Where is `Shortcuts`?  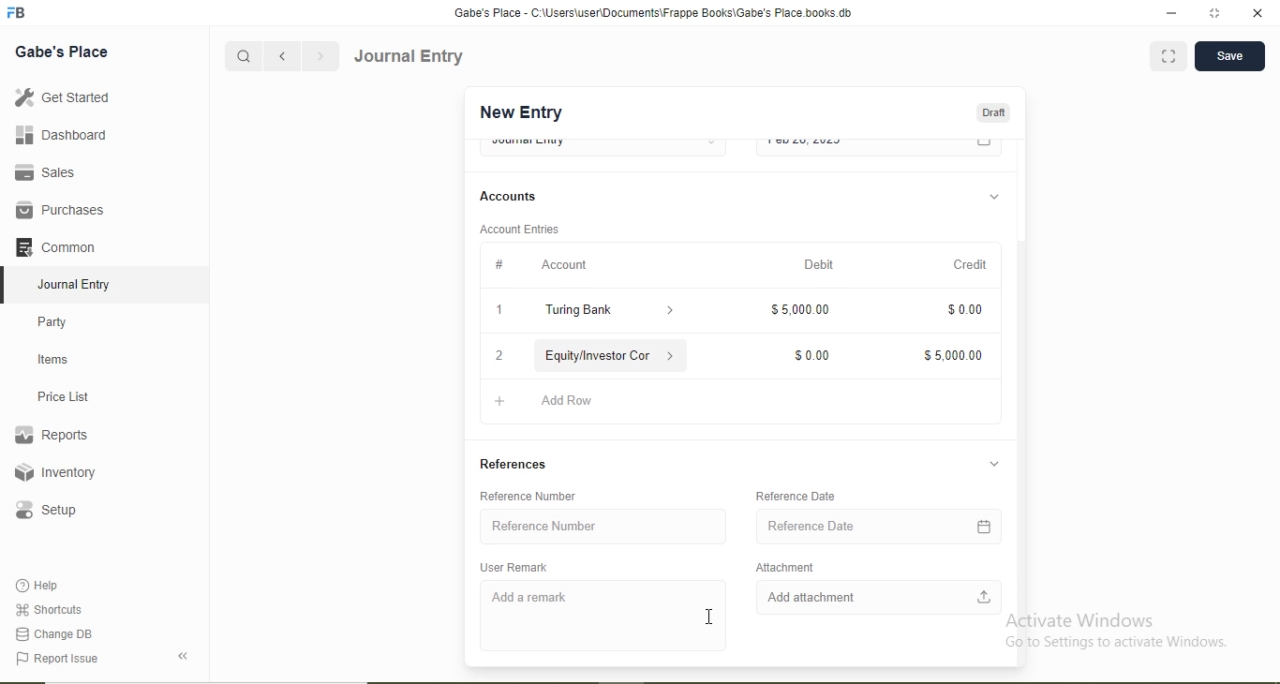 Shortcuts is located at coordinates (47, 609).